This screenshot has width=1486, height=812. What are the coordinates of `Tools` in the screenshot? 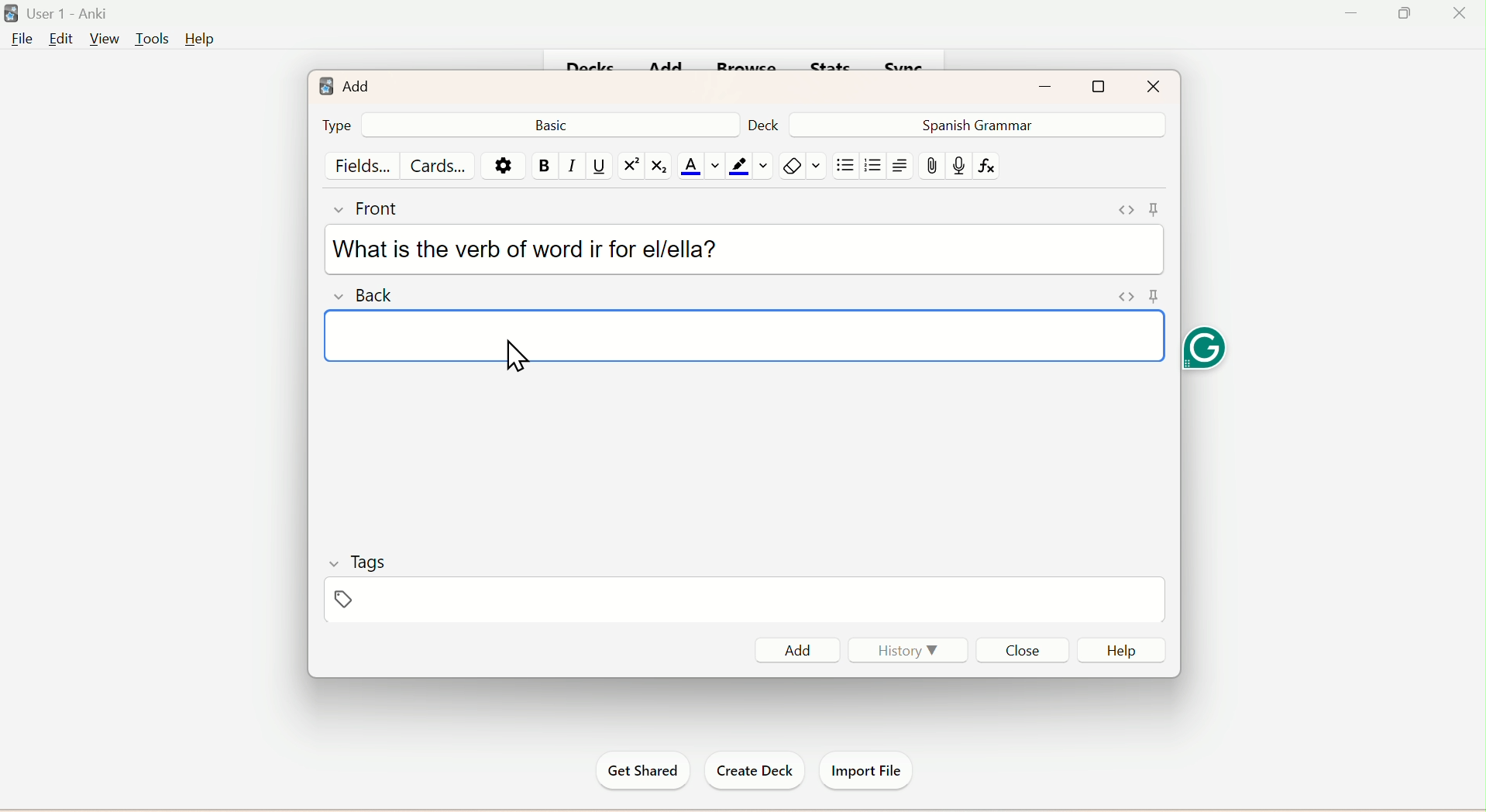 It's located at (148, 40).